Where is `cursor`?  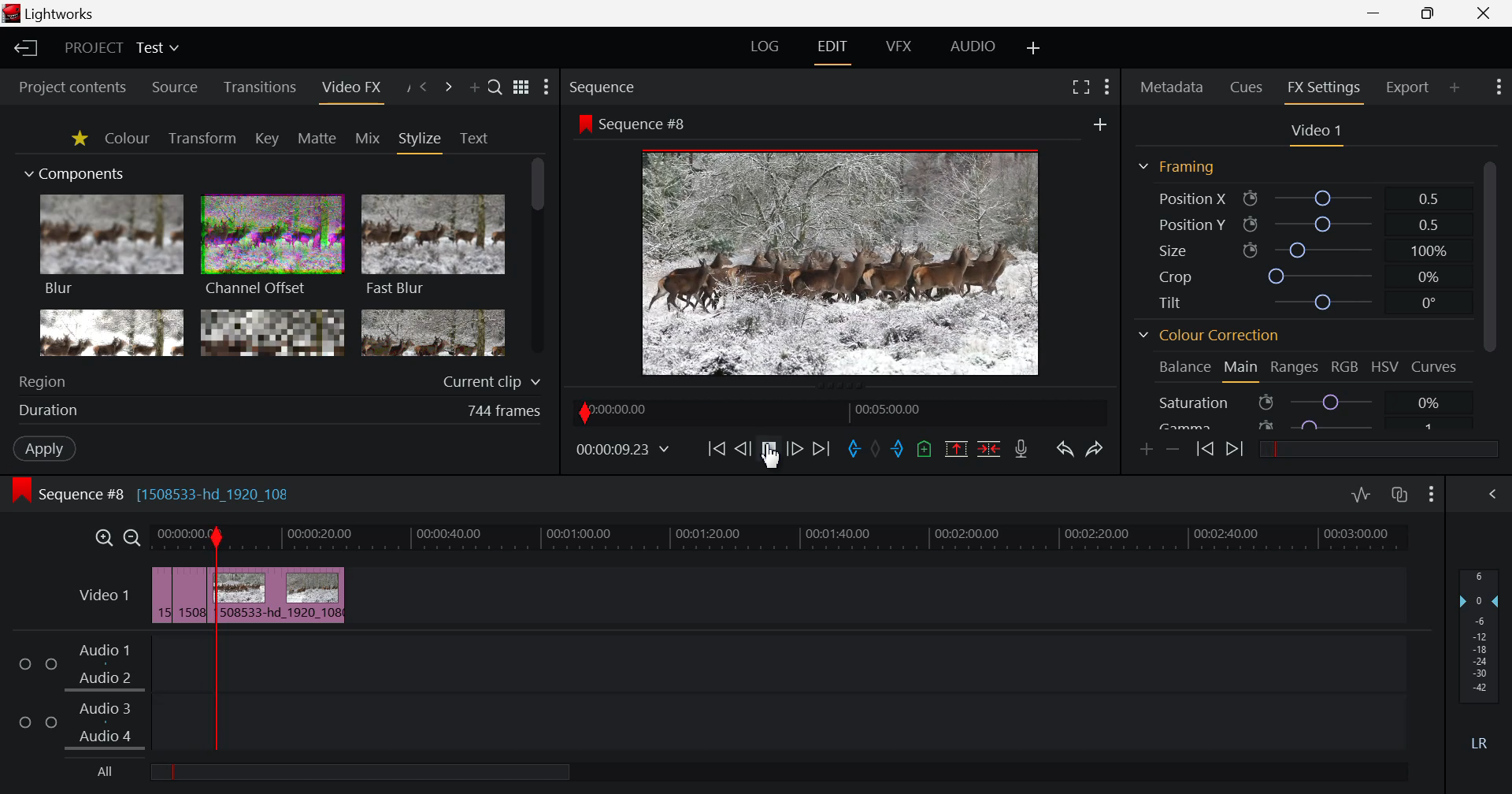 cursor is located at coordinates (1102, 124).